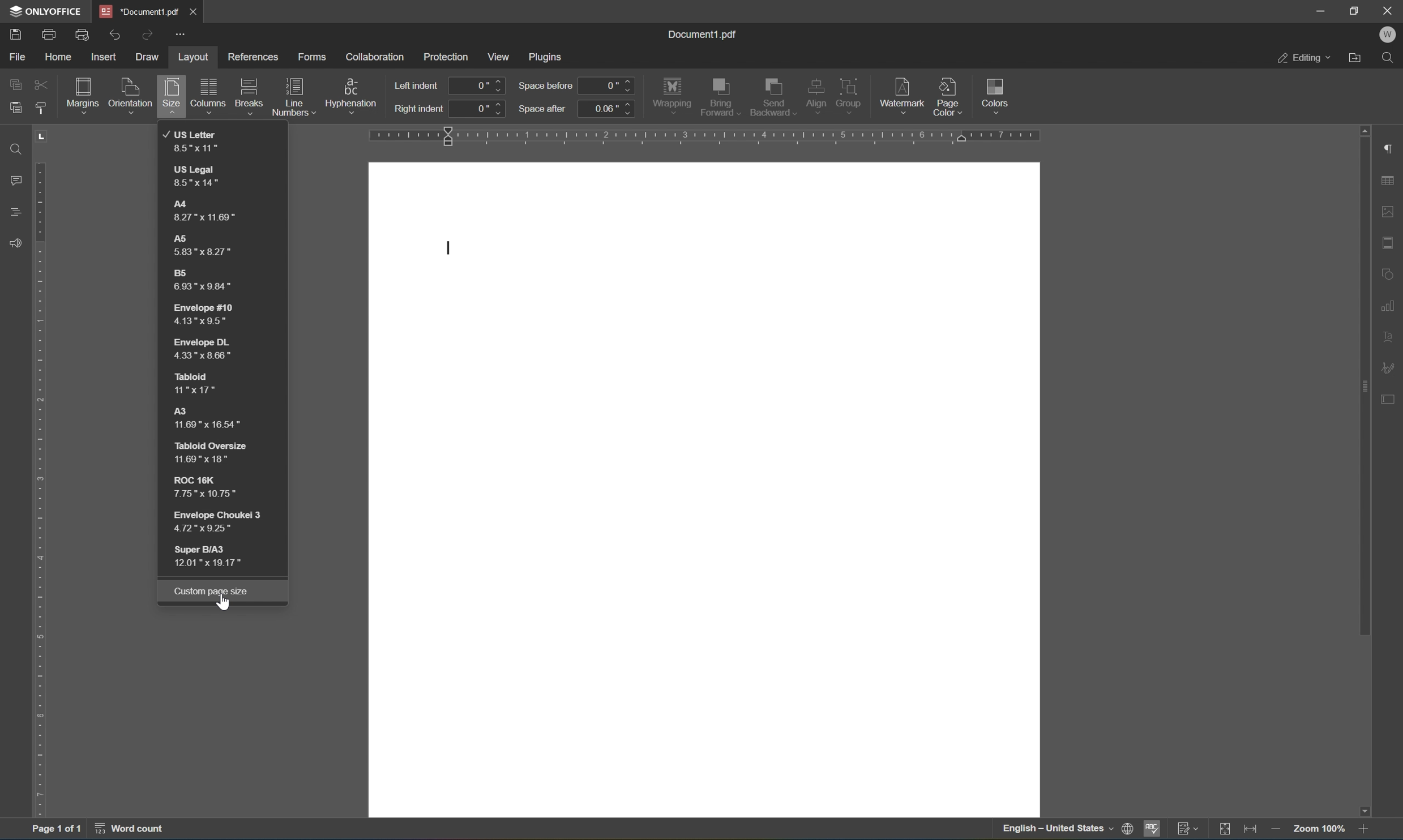 The width and height of the screenshot is (1403, 840). Describe the element at coordinates (450, 248) in the screenshot. I see `typing cursor` at that location.